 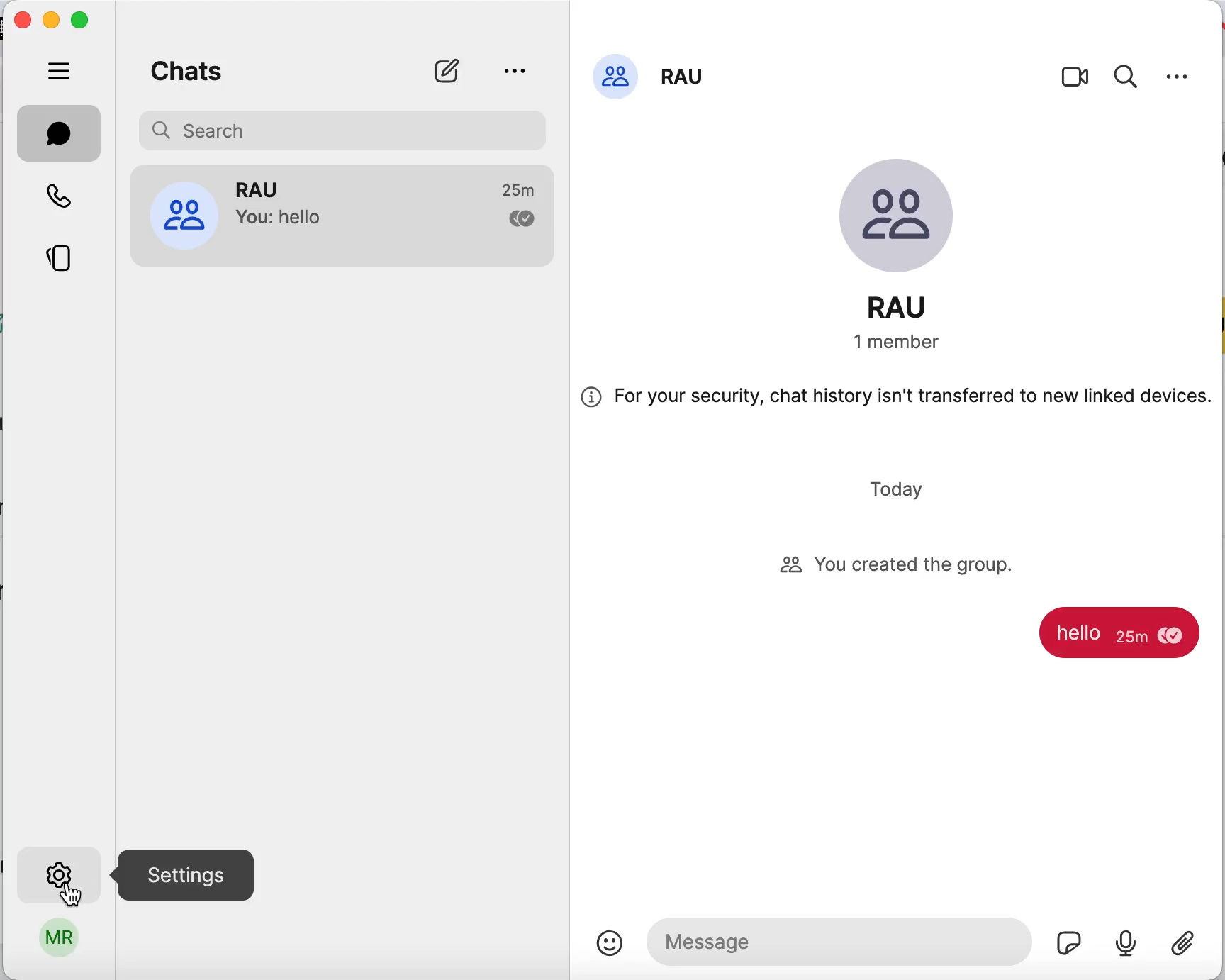 I want to click on minimize, so click(x=52, y=19).